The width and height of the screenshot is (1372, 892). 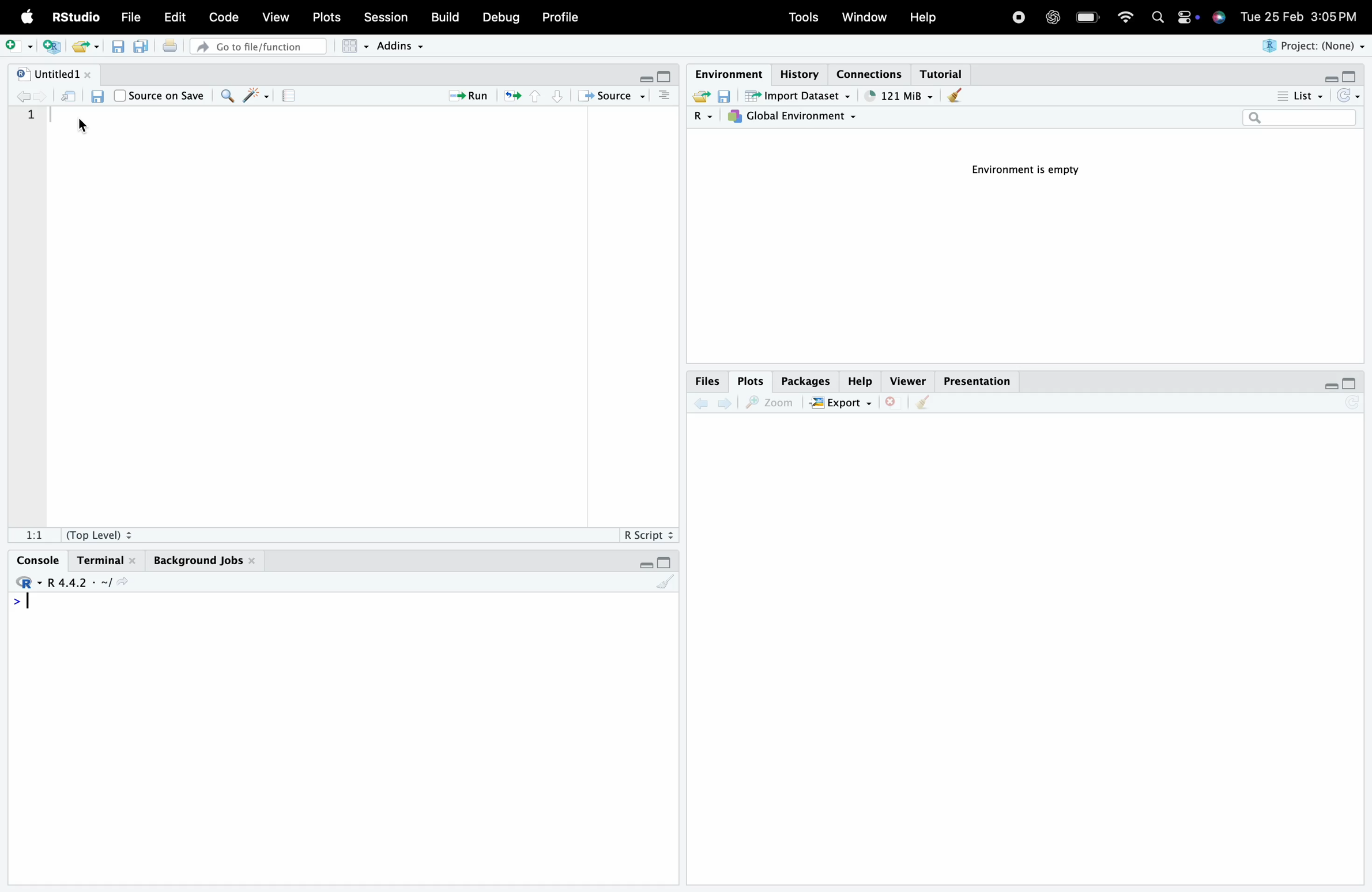 I want to click on Environment is empty, so click(x=1021, y=174).